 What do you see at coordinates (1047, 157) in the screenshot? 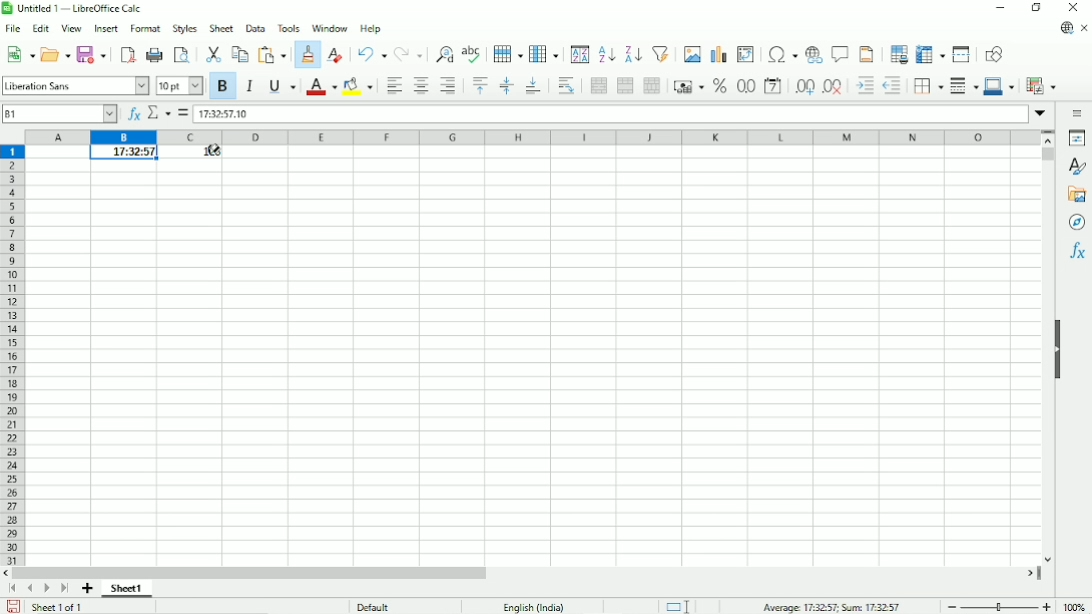
I see `Vertical scrollbar` at bounding box center [1047, 157].